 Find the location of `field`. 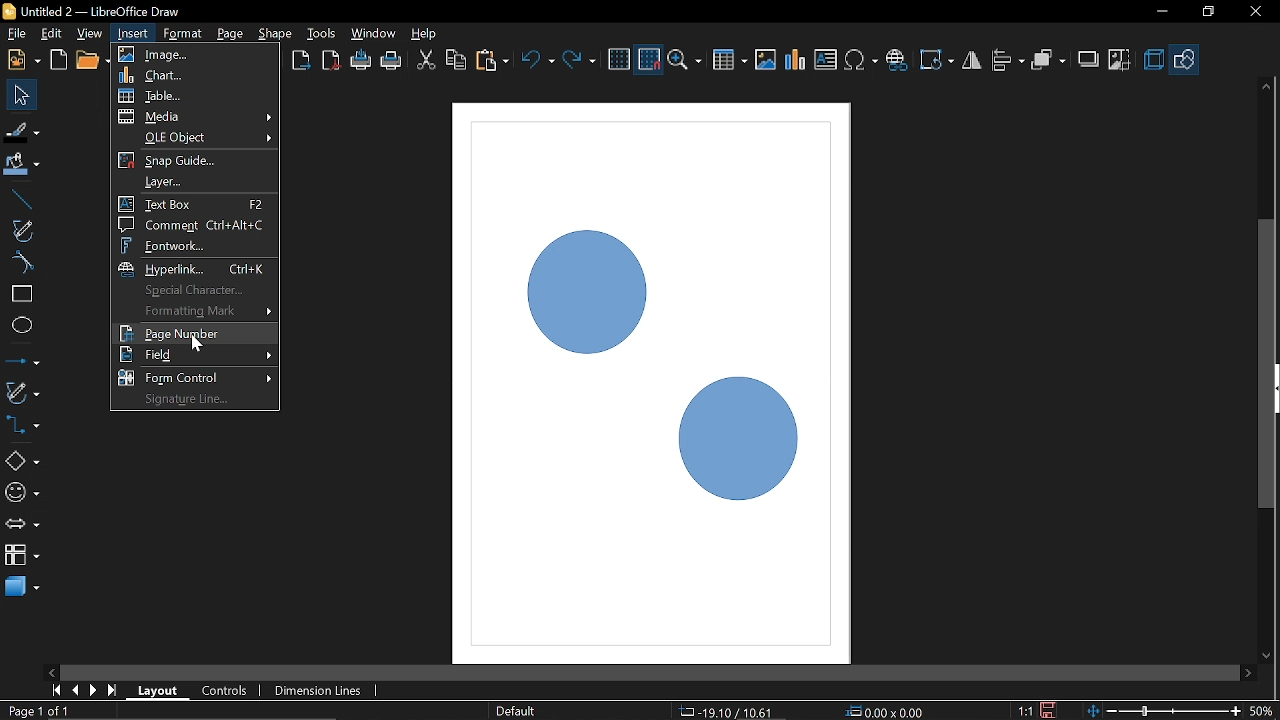

field is located at coordinates (194, 355).